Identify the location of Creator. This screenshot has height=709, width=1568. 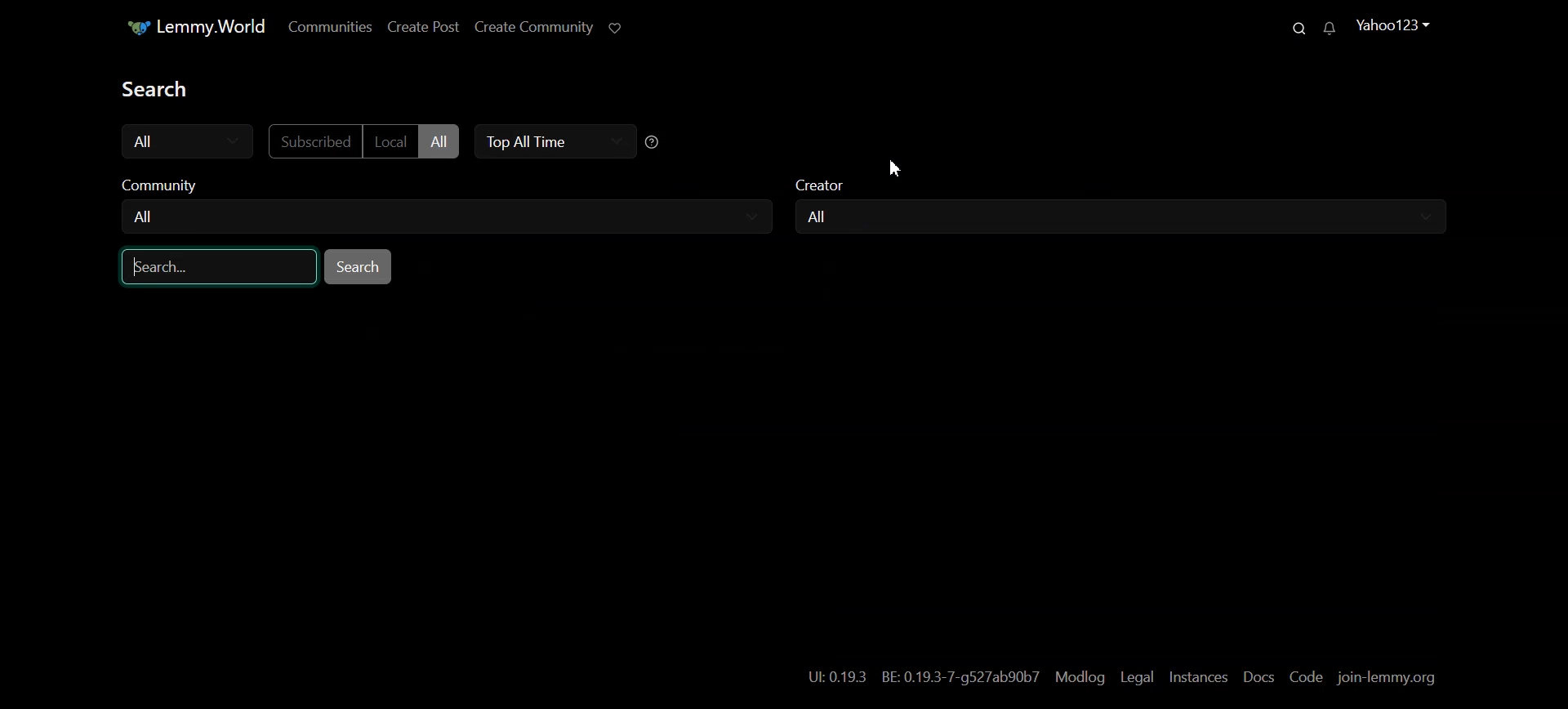
(1125, 189).